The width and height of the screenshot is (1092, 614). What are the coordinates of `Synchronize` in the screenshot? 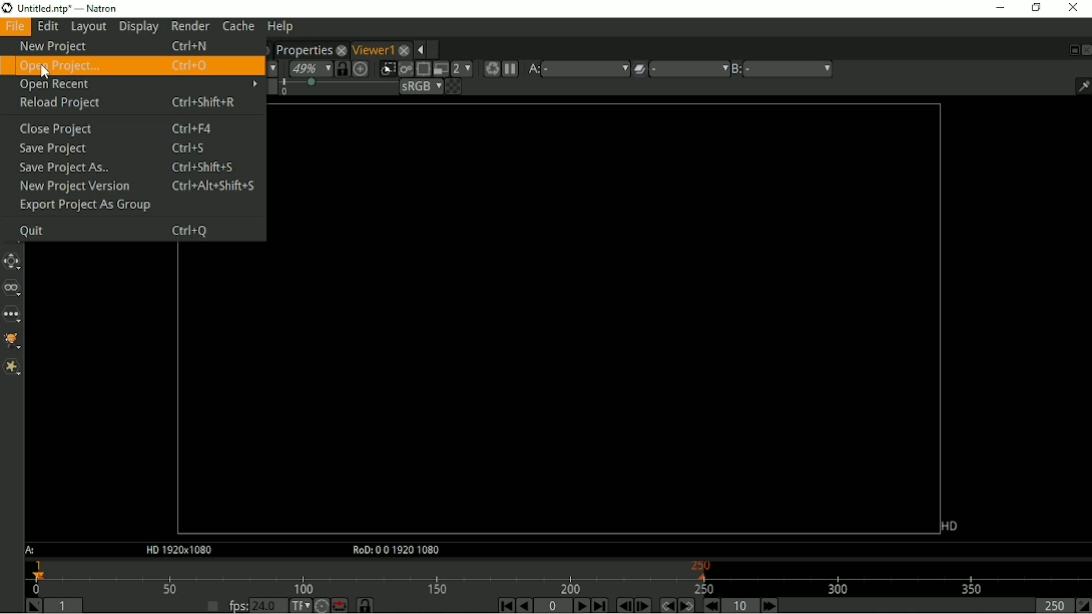 It's located at (366, 605).